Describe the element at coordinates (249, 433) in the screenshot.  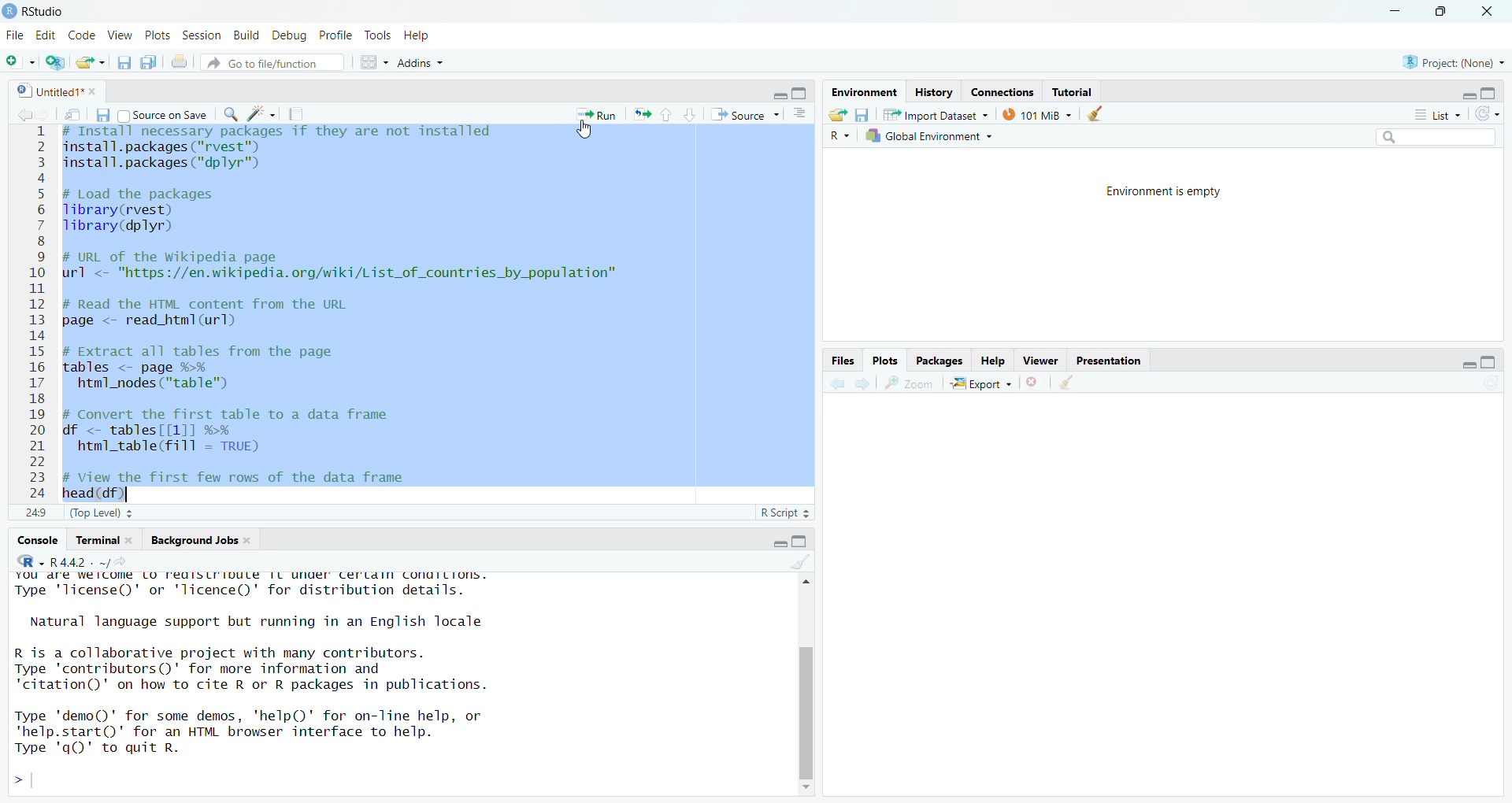
I see `# Convert the first table to a data frame df <- tables[[1]] %>% htm1_table(fill = TRUE)` at that location.